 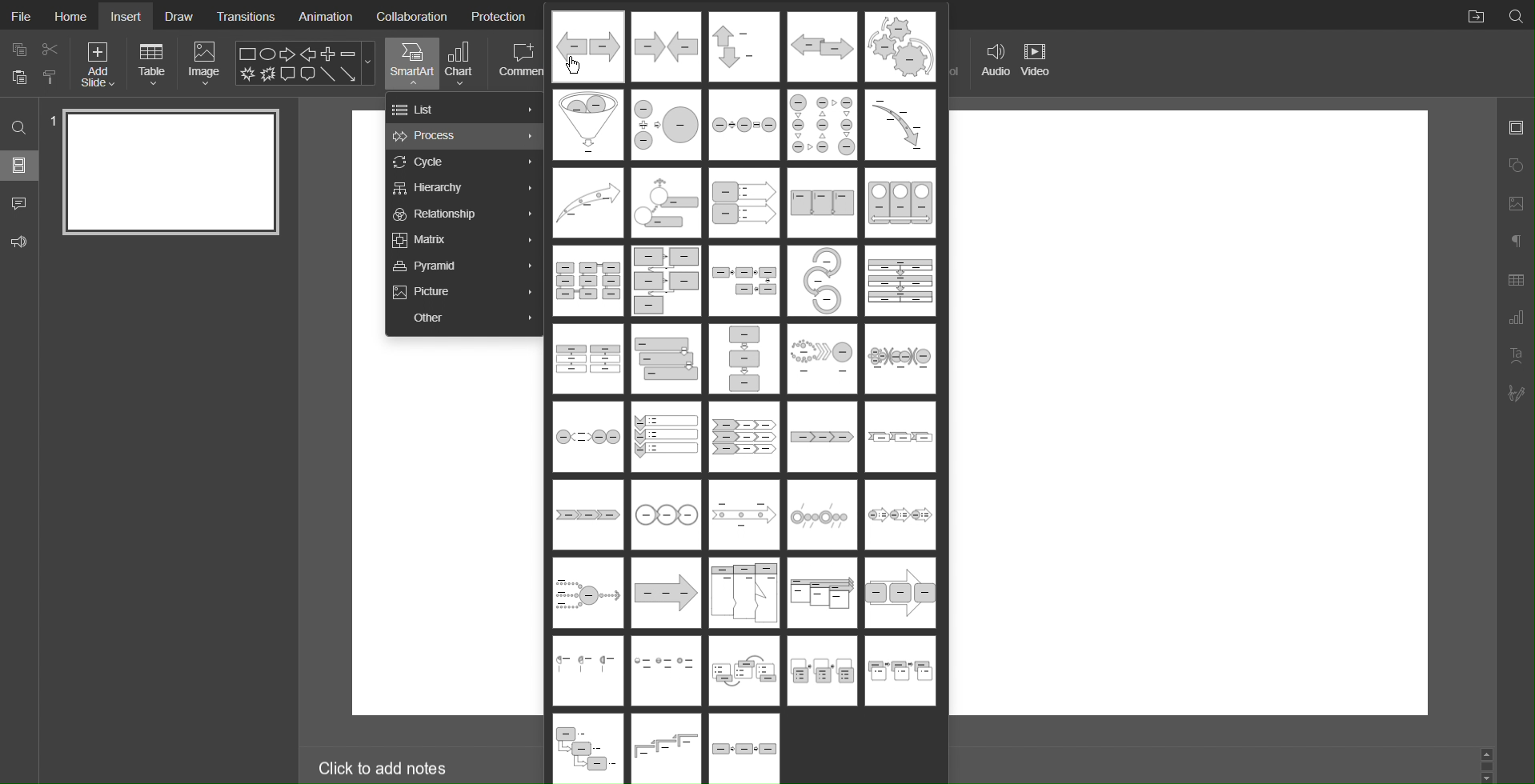 What do you see at coordinates (462, 162) in the screenshot?
I see `Cycle` at bounding box center [462, 162].